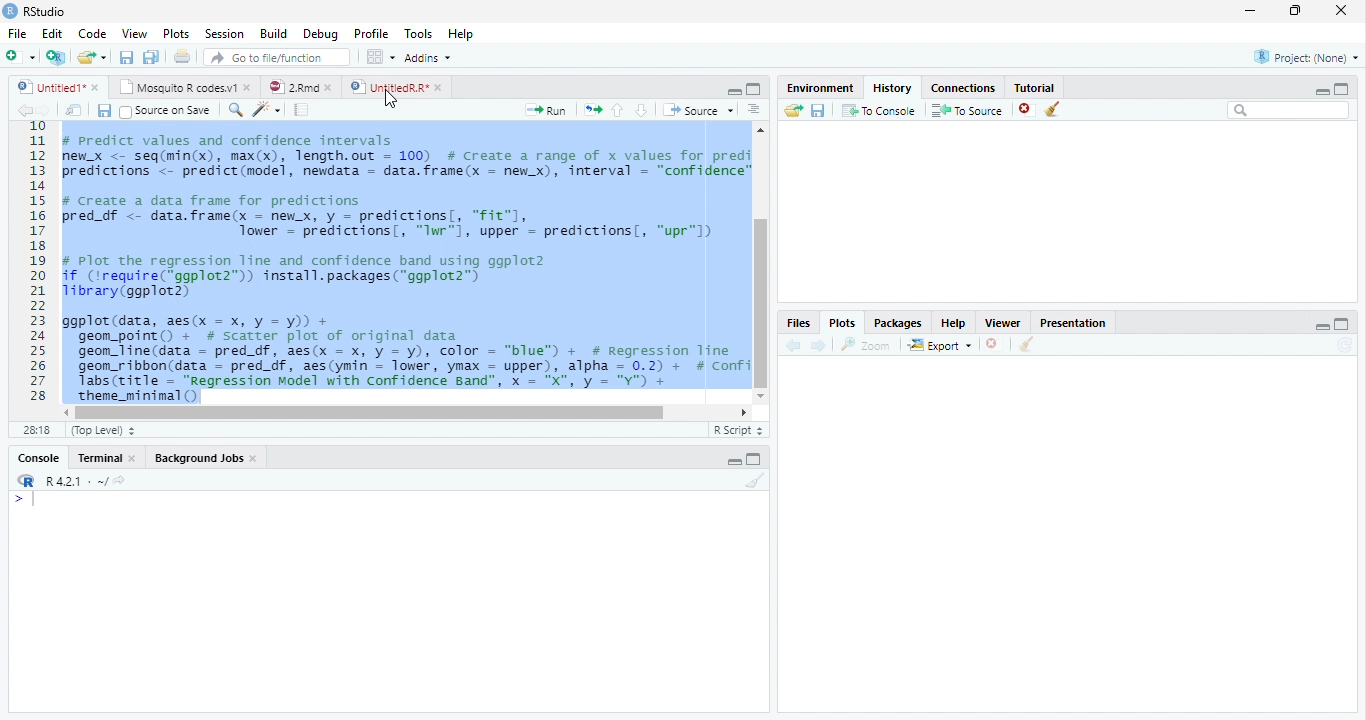  I want to click on Help, so click(956, 322).